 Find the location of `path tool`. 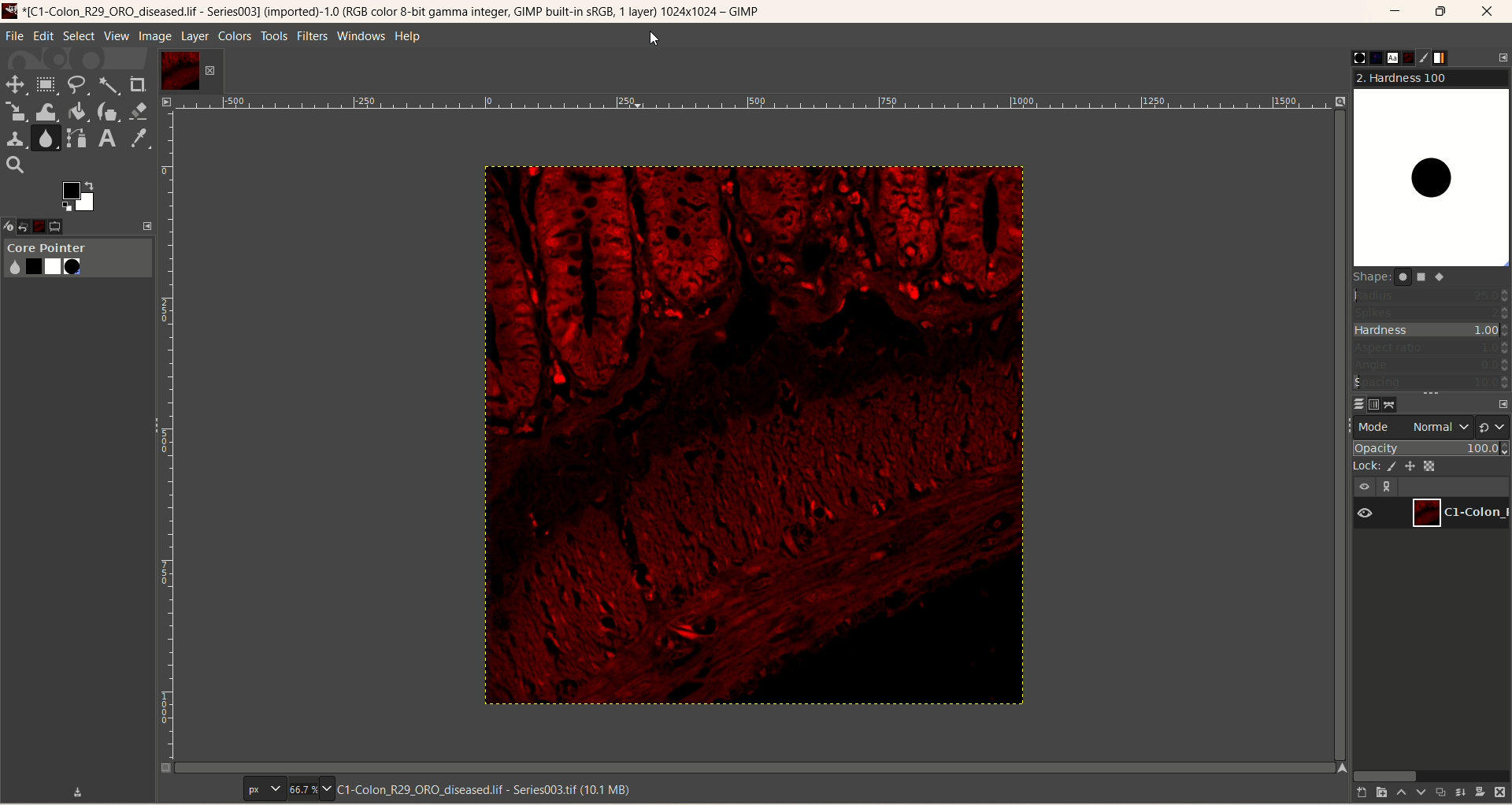

path tool is located at coordinates (78, 138).